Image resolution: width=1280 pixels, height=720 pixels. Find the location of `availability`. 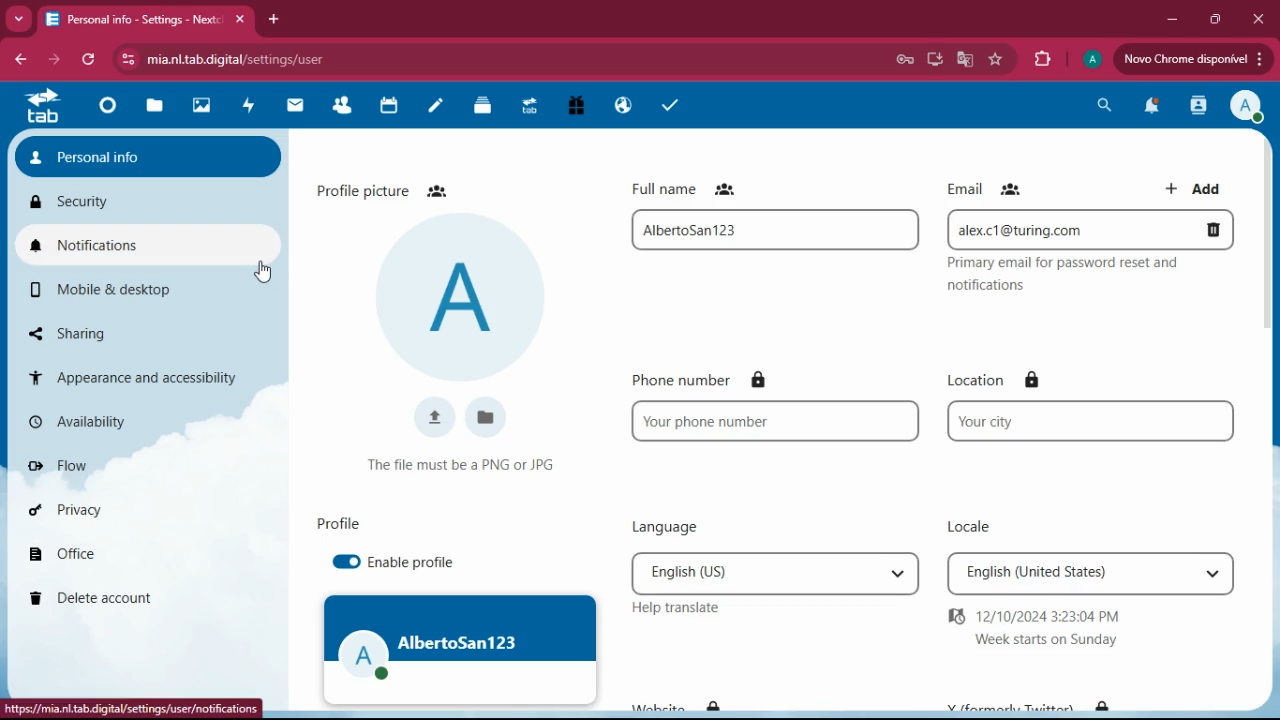

availability is located at coordinates (123, 425).